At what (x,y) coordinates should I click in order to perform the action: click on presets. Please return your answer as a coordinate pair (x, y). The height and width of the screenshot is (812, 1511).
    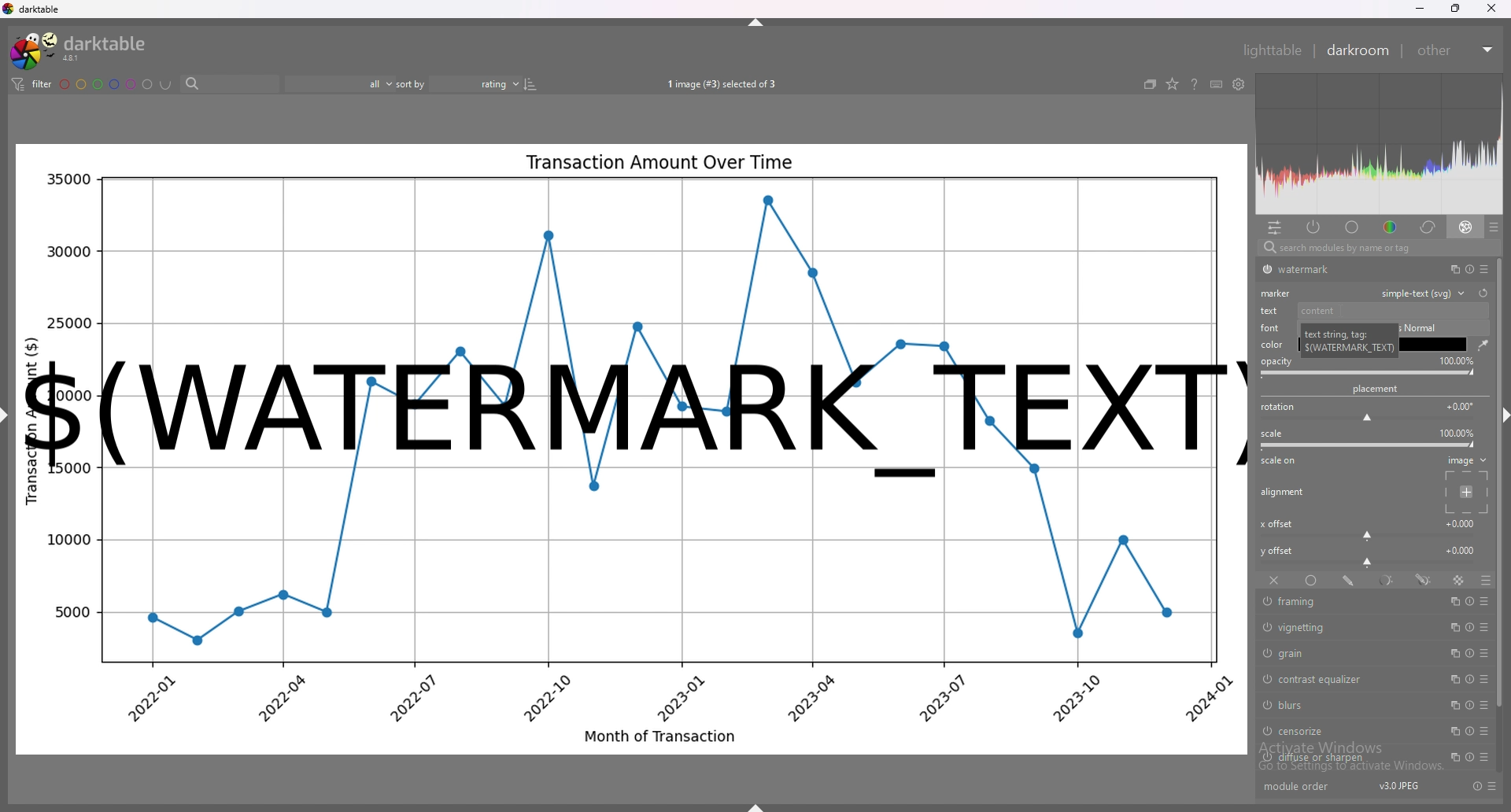
    Looking at the image, I should click on (1485, 654).